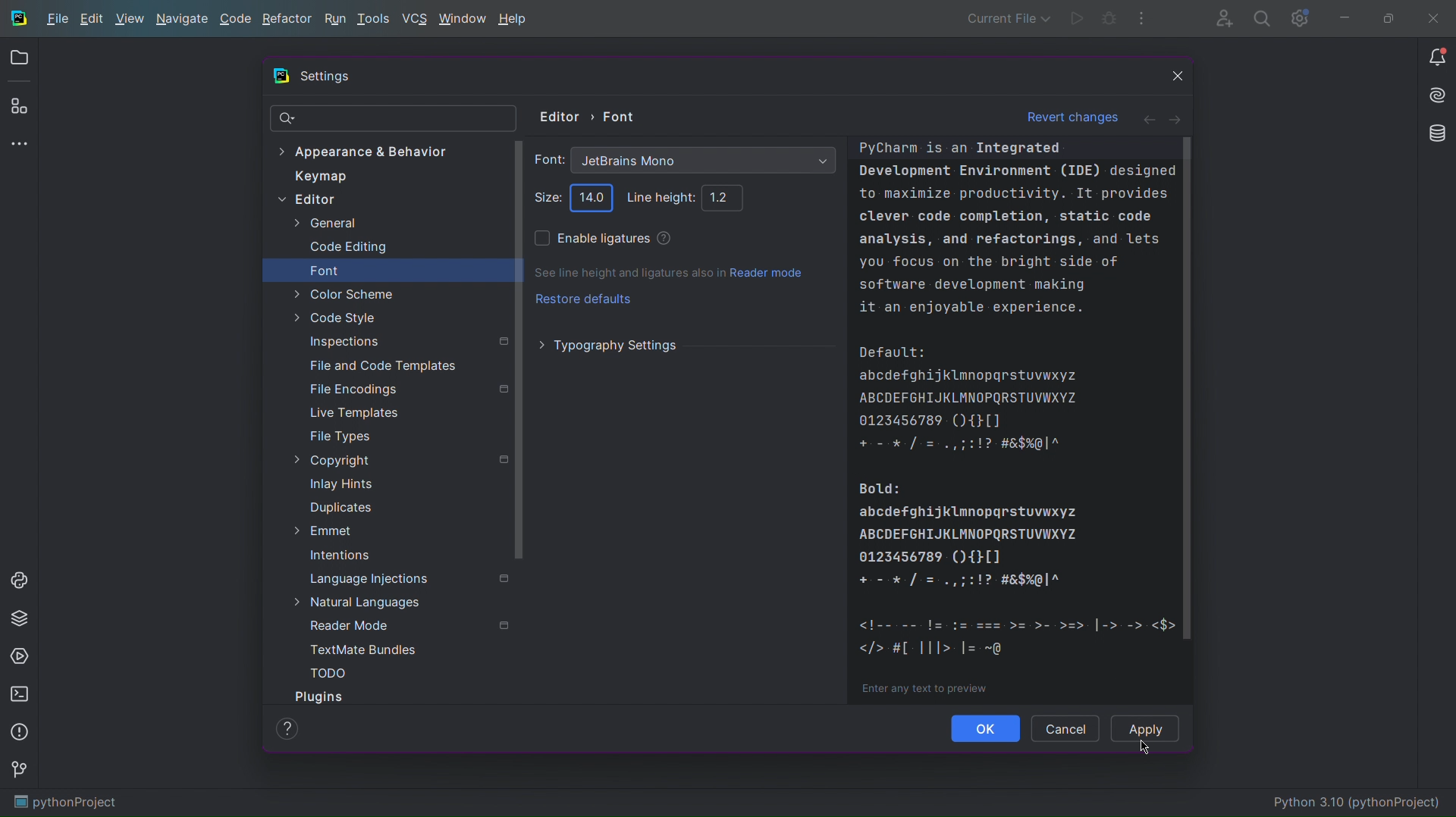 Image resolution: width=1456 pixels, height=817 pixels. What do you see at coordinates (372, 20) in the screenshot?
I see `Tools` at bounding box center [372, 20].